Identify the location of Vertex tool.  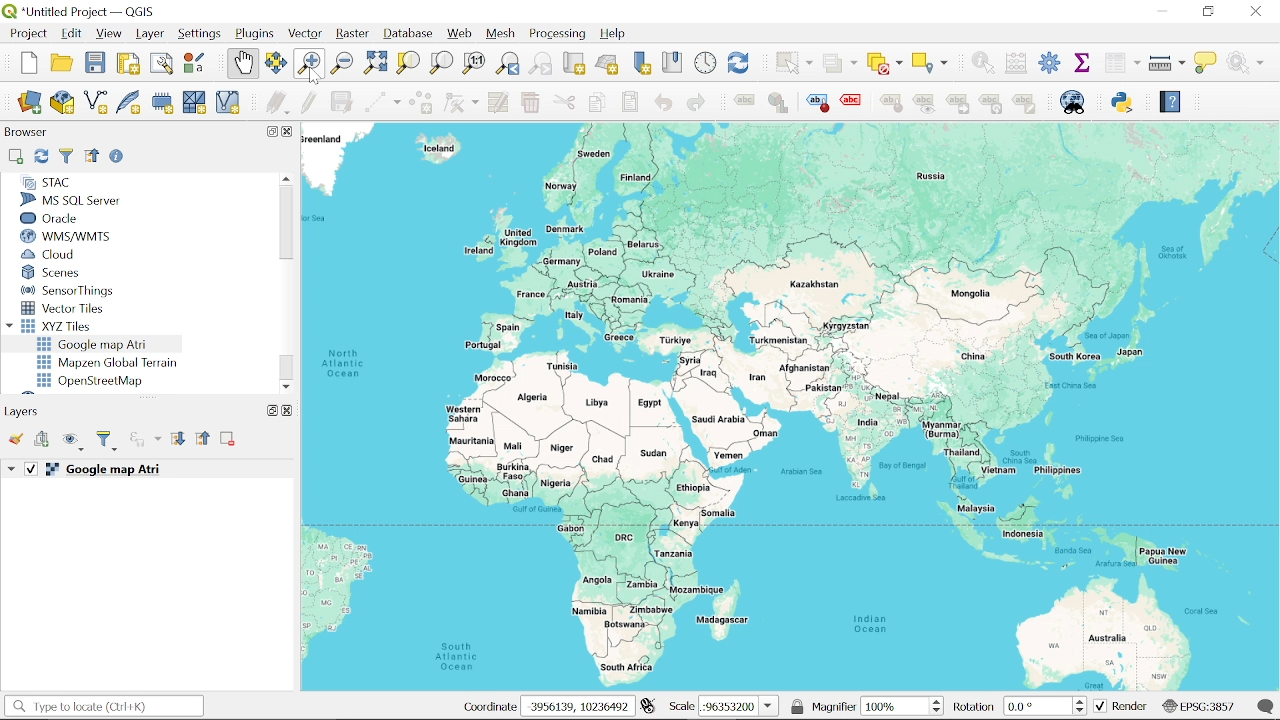
(461, 104).